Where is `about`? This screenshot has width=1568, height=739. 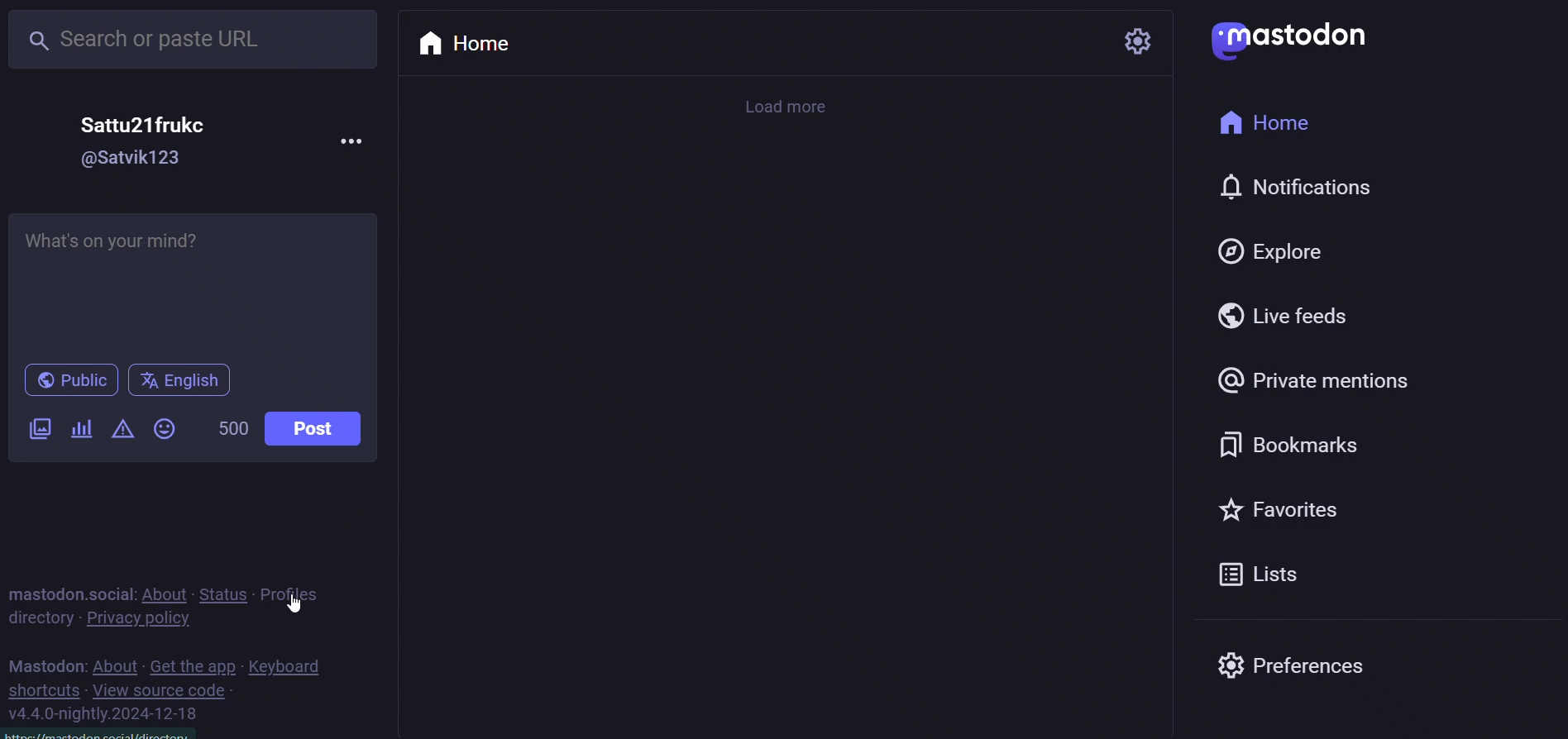 about is located at coordinates (160, 592).